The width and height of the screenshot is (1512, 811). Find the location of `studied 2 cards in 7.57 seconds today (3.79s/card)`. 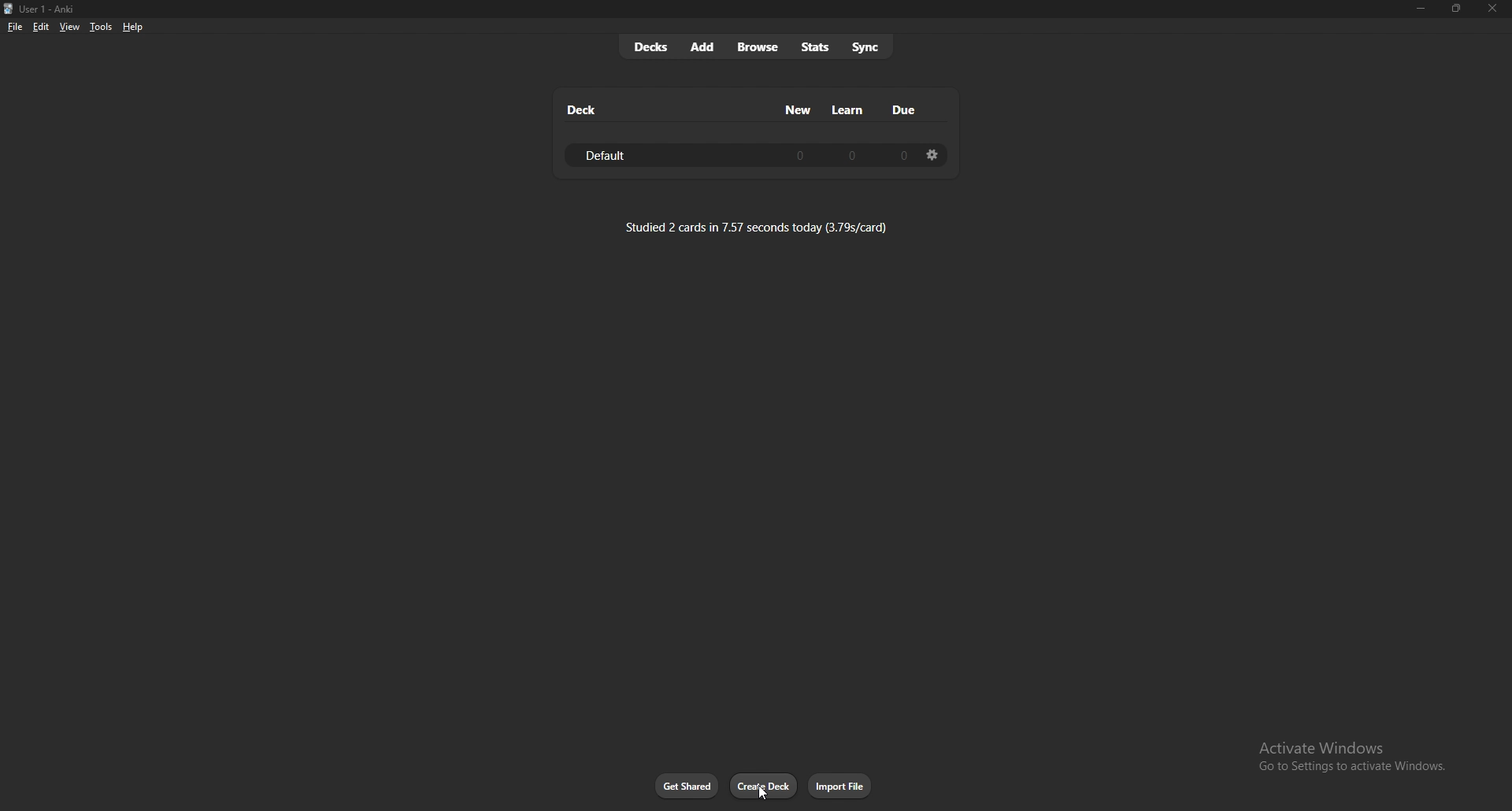

studied 2 cards in 7.57 seconds today (3.79s/card) is located at coordinates (757, 227).